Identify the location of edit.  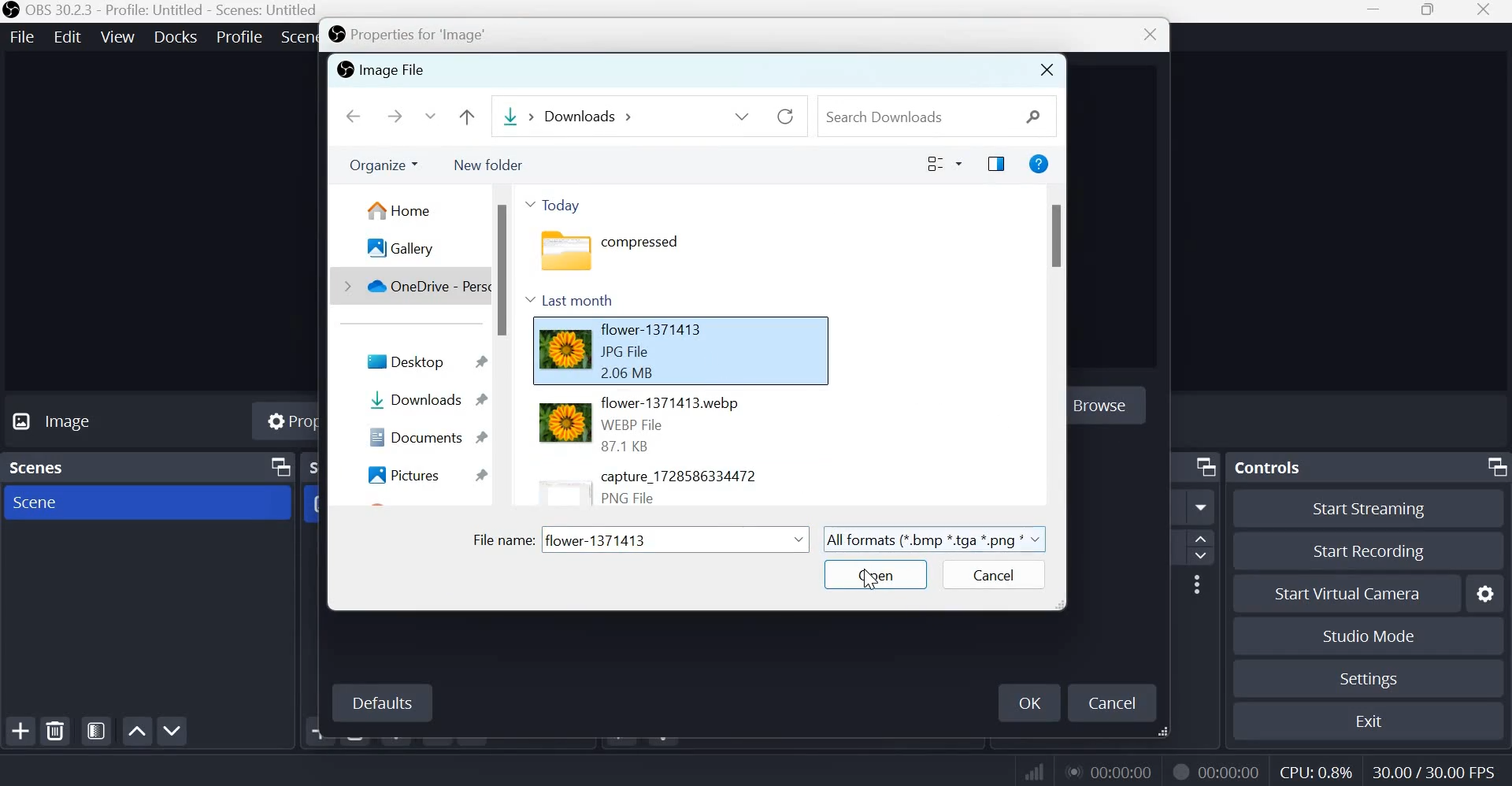
(68, 35).